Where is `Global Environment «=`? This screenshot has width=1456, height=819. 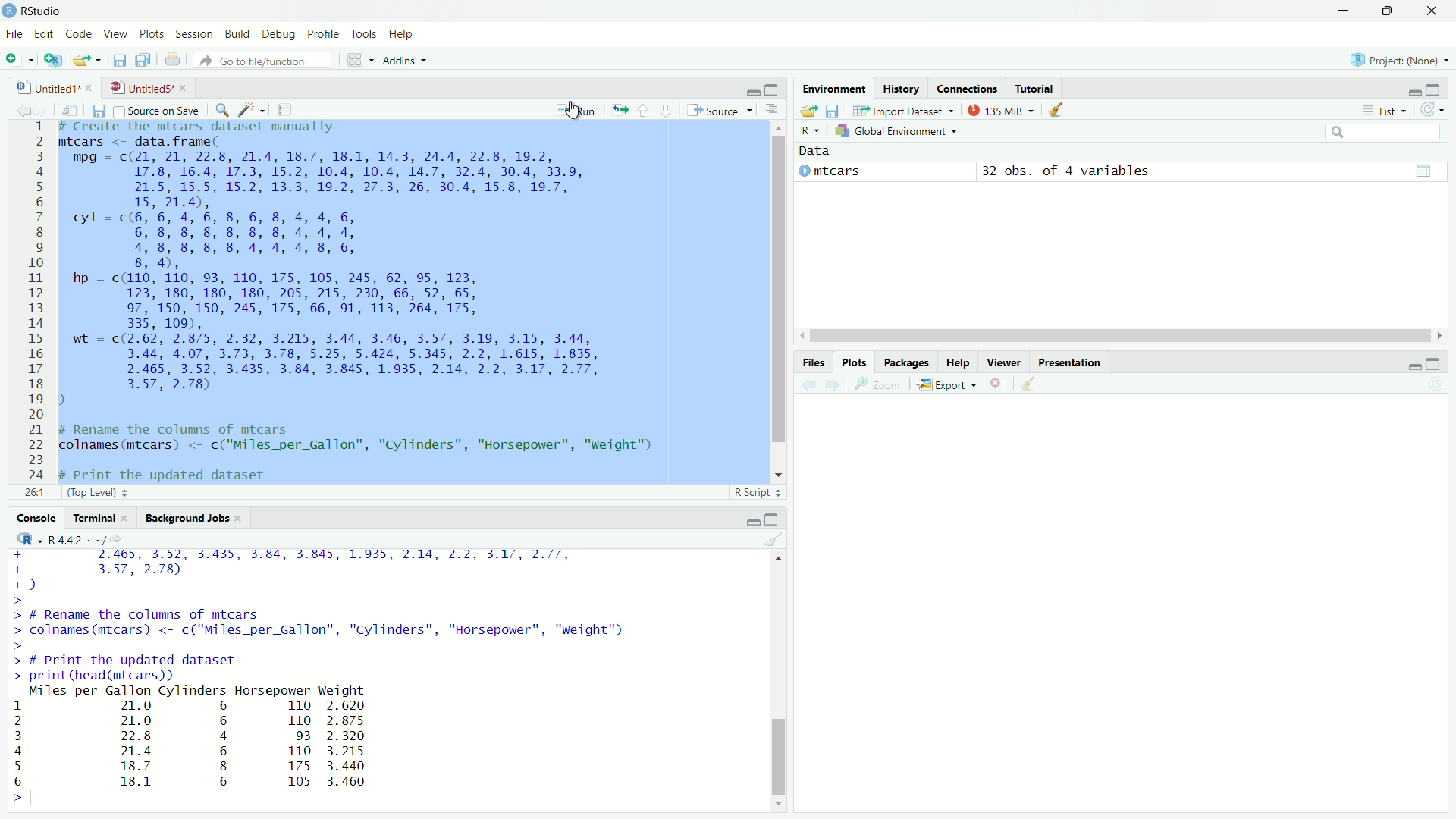 Global Environment «= is located at coordinates (899, 130).